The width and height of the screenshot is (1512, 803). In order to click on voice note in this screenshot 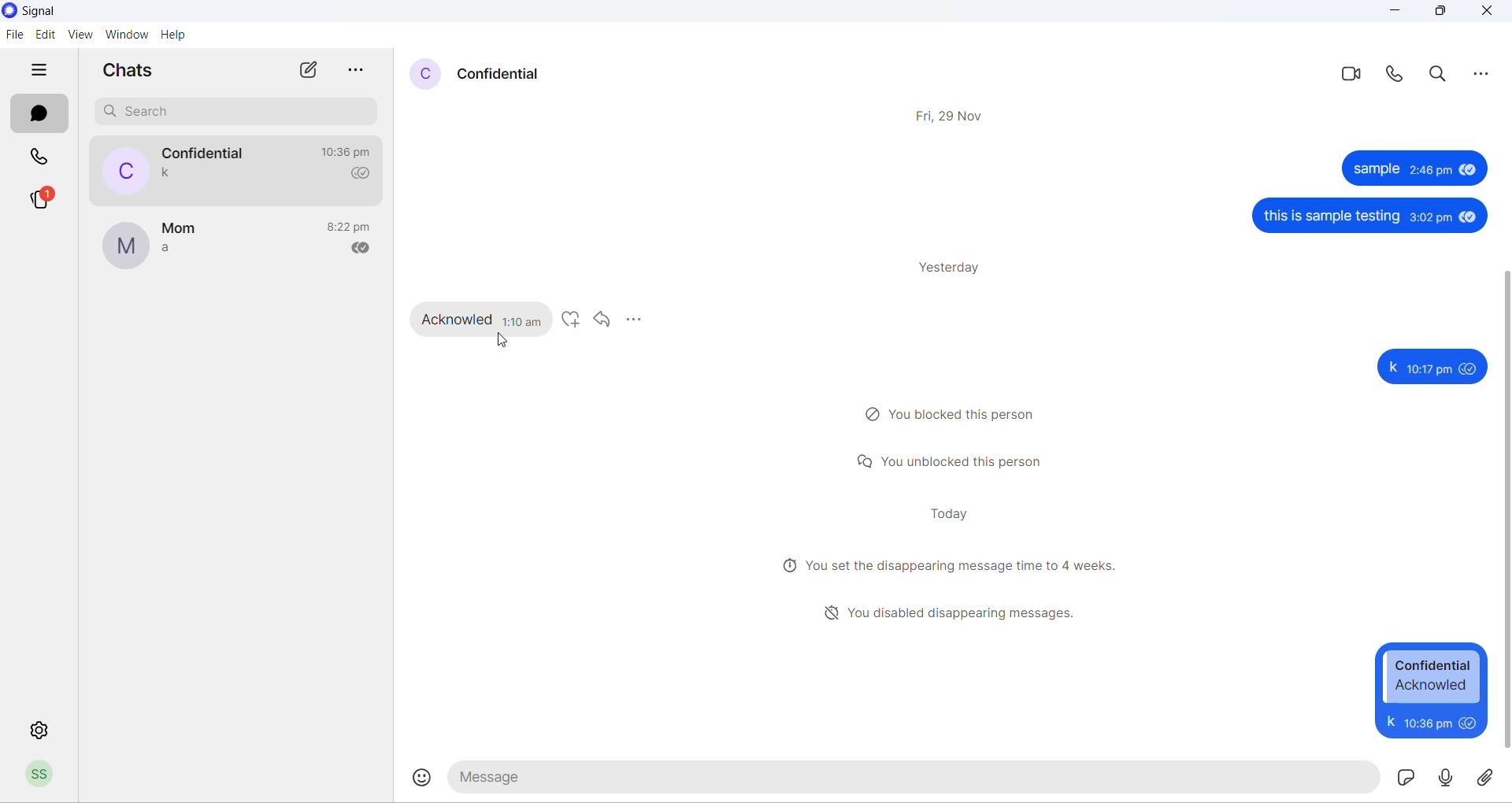, I will do `click(1445, 778)`.